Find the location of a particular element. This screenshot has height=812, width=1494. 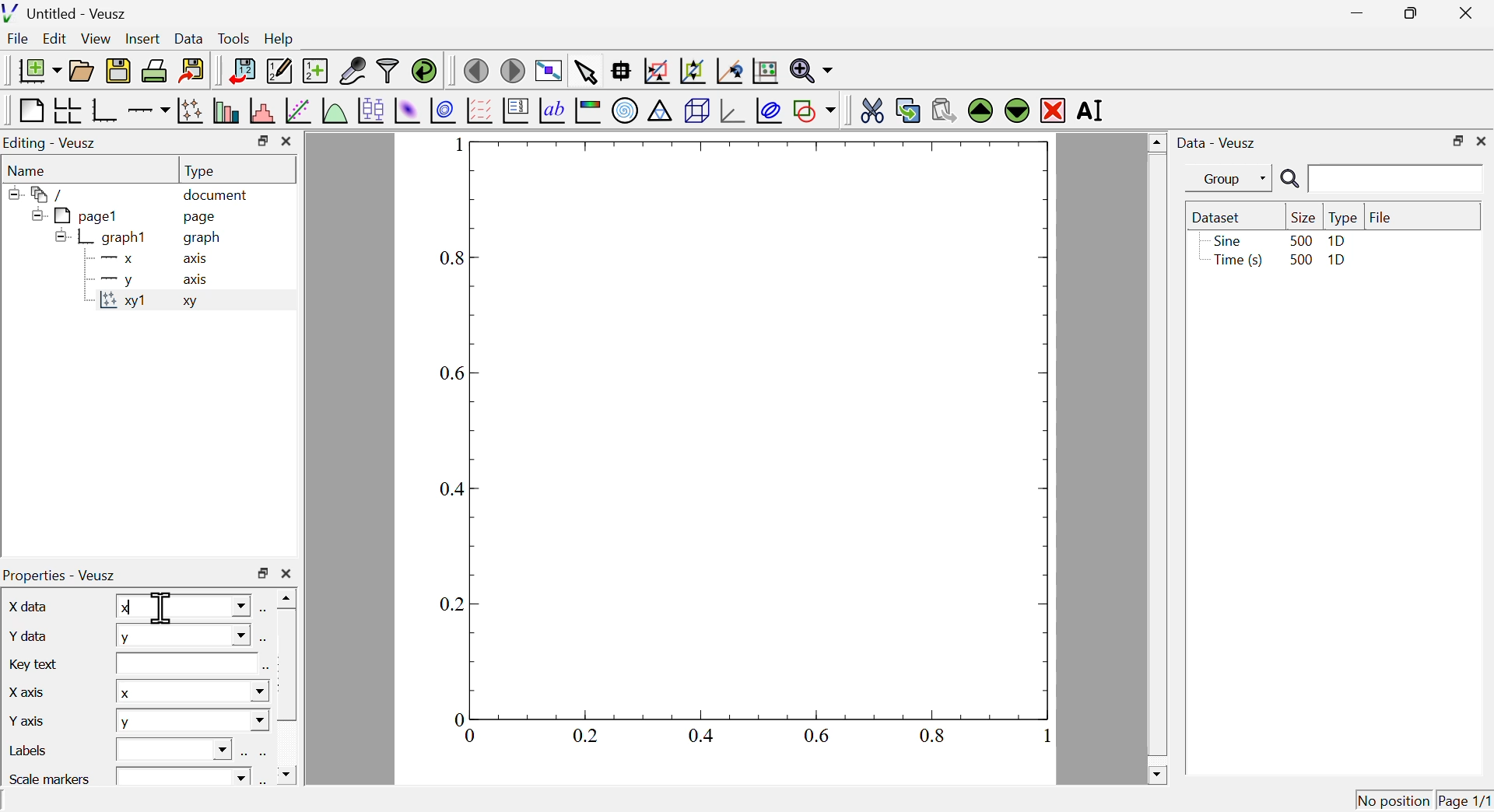

name is located at coordinates (30, 170).